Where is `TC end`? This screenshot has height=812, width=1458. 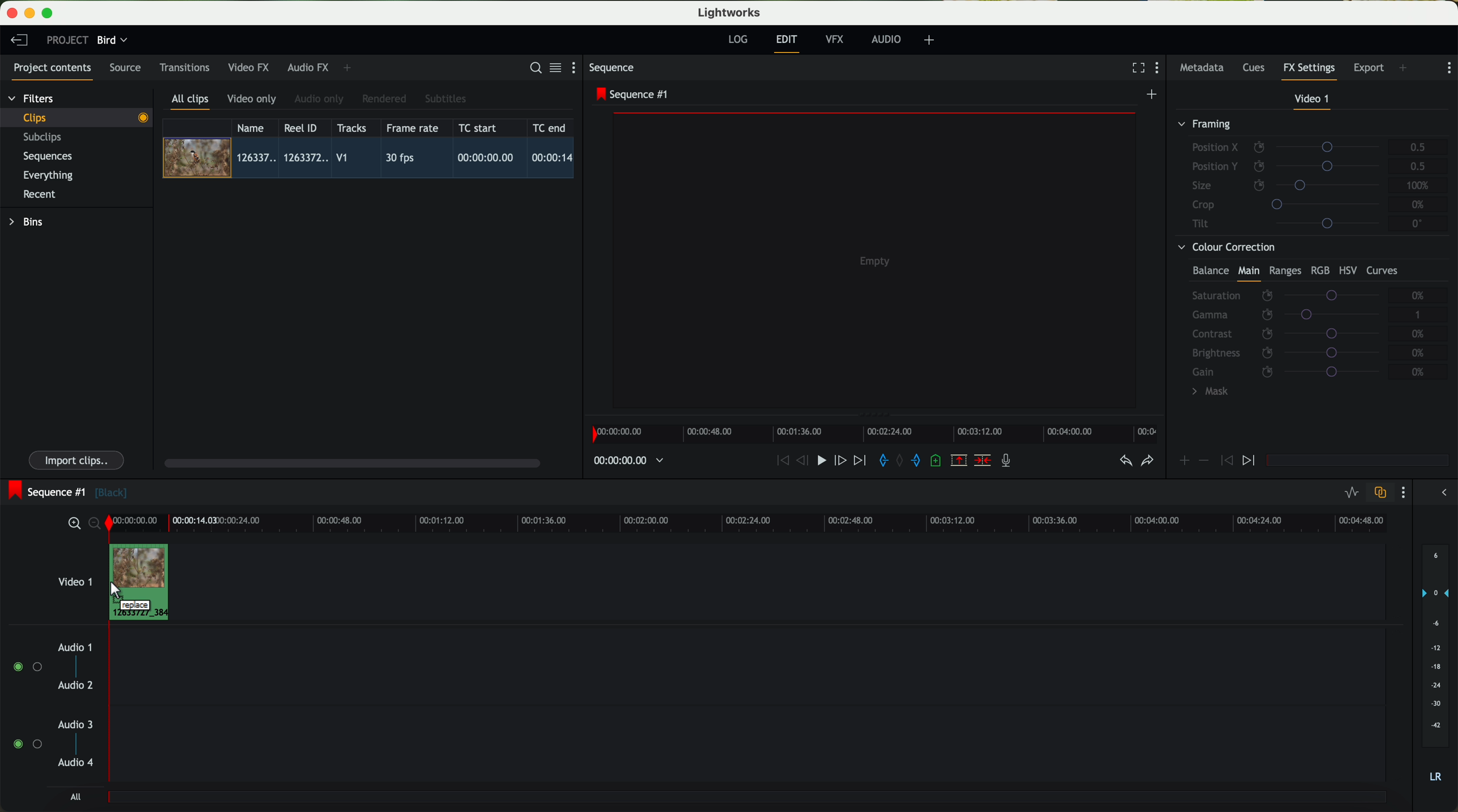
TC end is located at coordinates (550, 127).